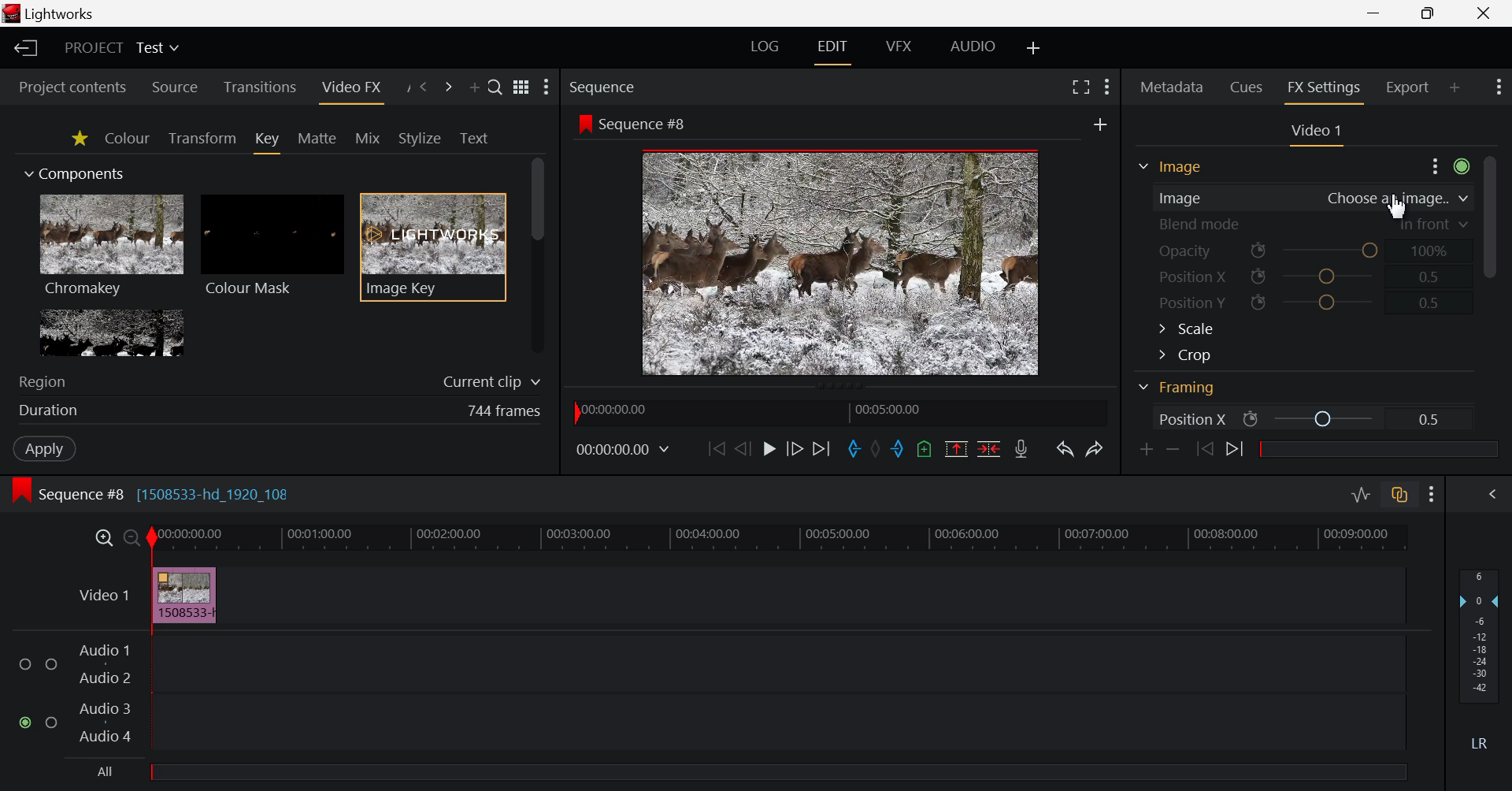  Describe the element at coordinates (1067, 448) in the screenshot. I see `Undo` at that location.